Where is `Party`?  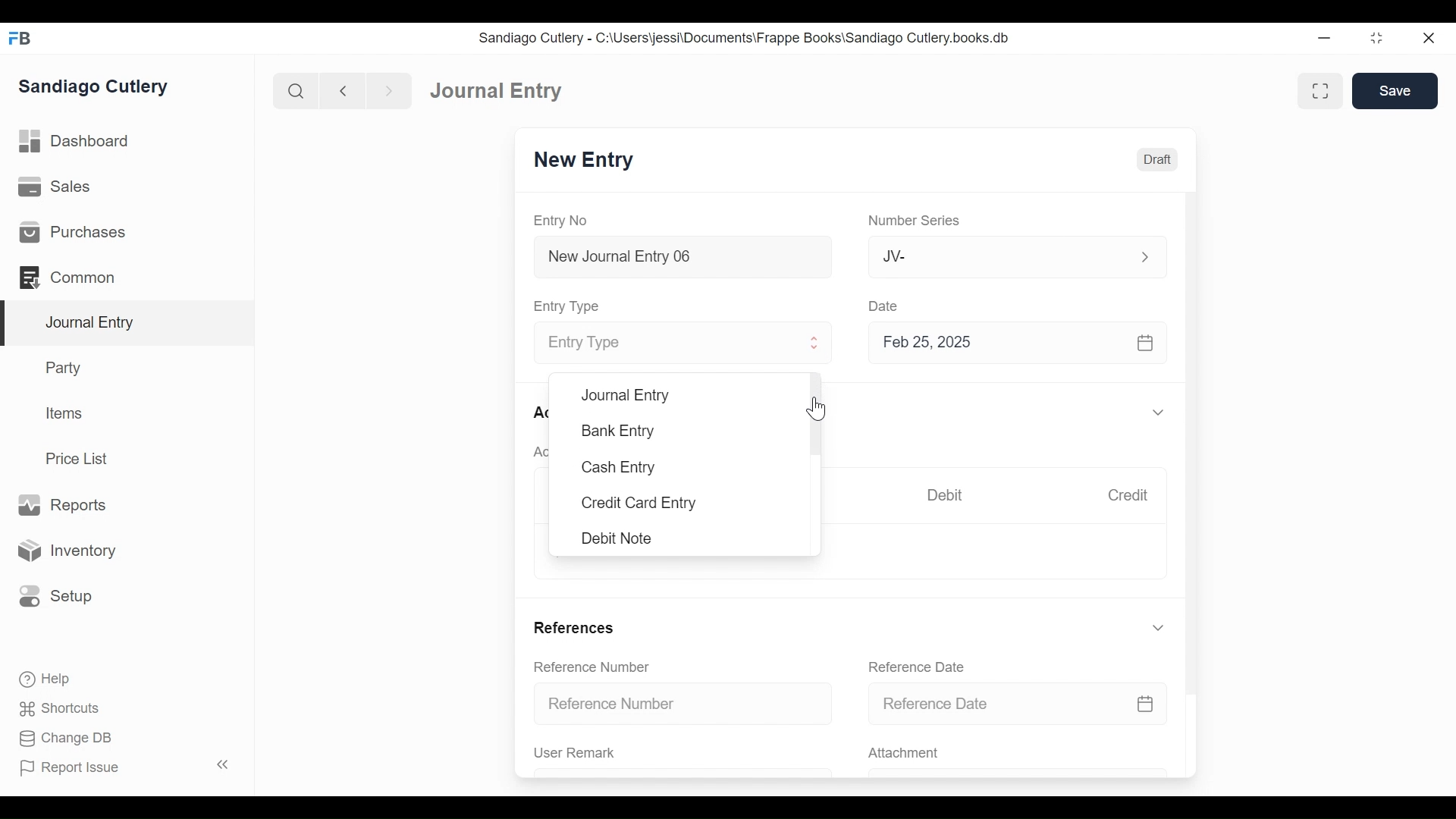
Party is located at coordinates (67, 367).